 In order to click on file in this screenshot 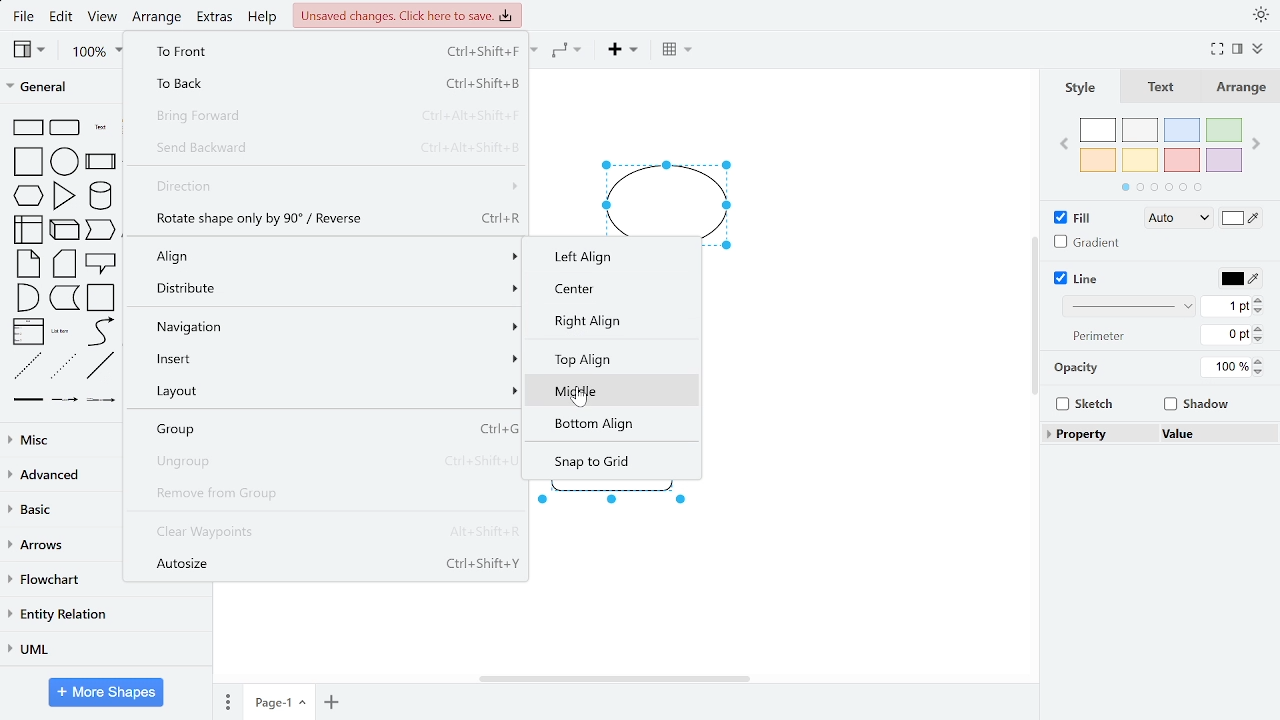, I will do `click(24, 16)`.